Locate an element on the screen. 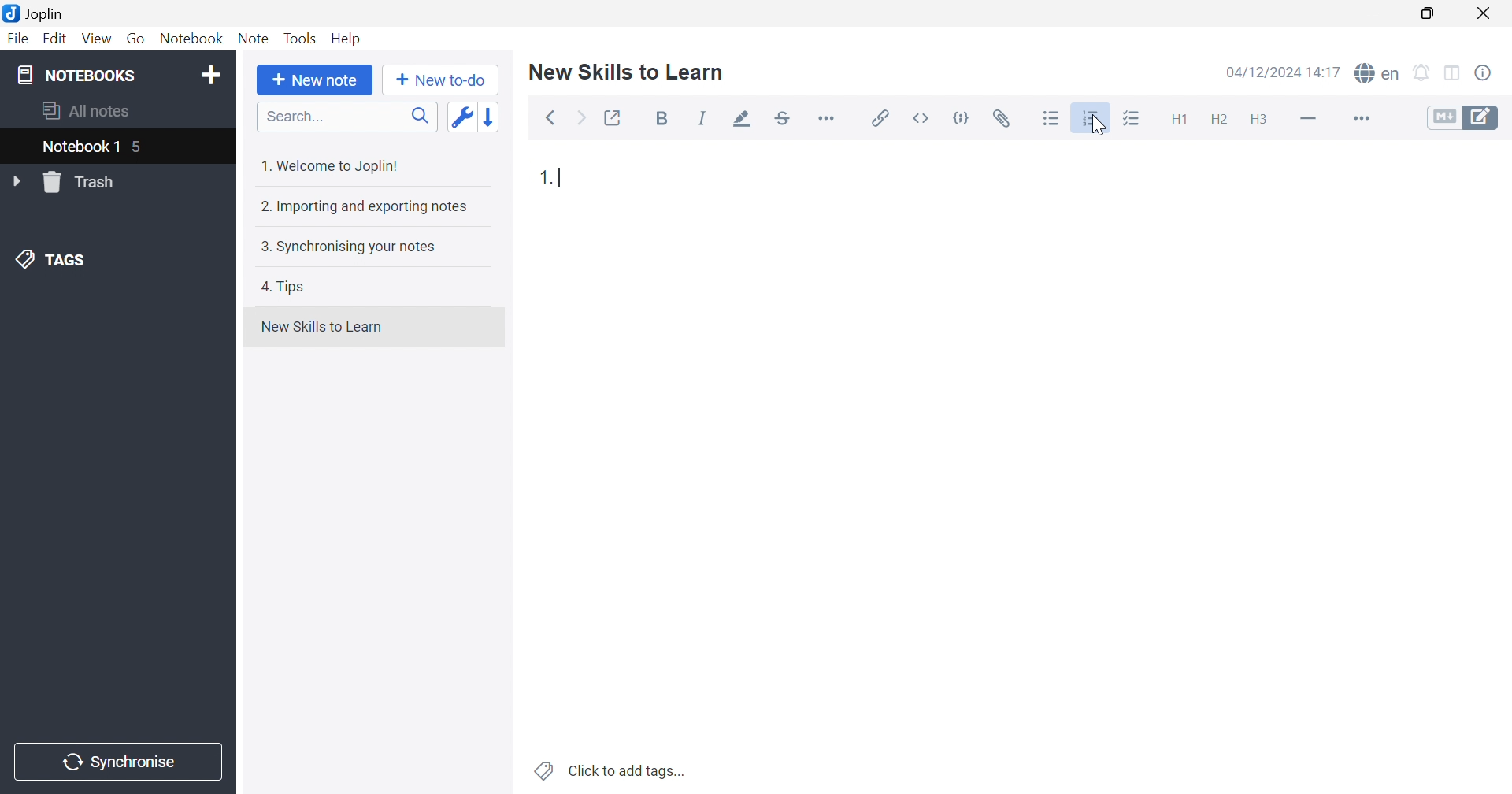 The image size is (1512, 794). Typing cursor is located at coordinates (565, 178).